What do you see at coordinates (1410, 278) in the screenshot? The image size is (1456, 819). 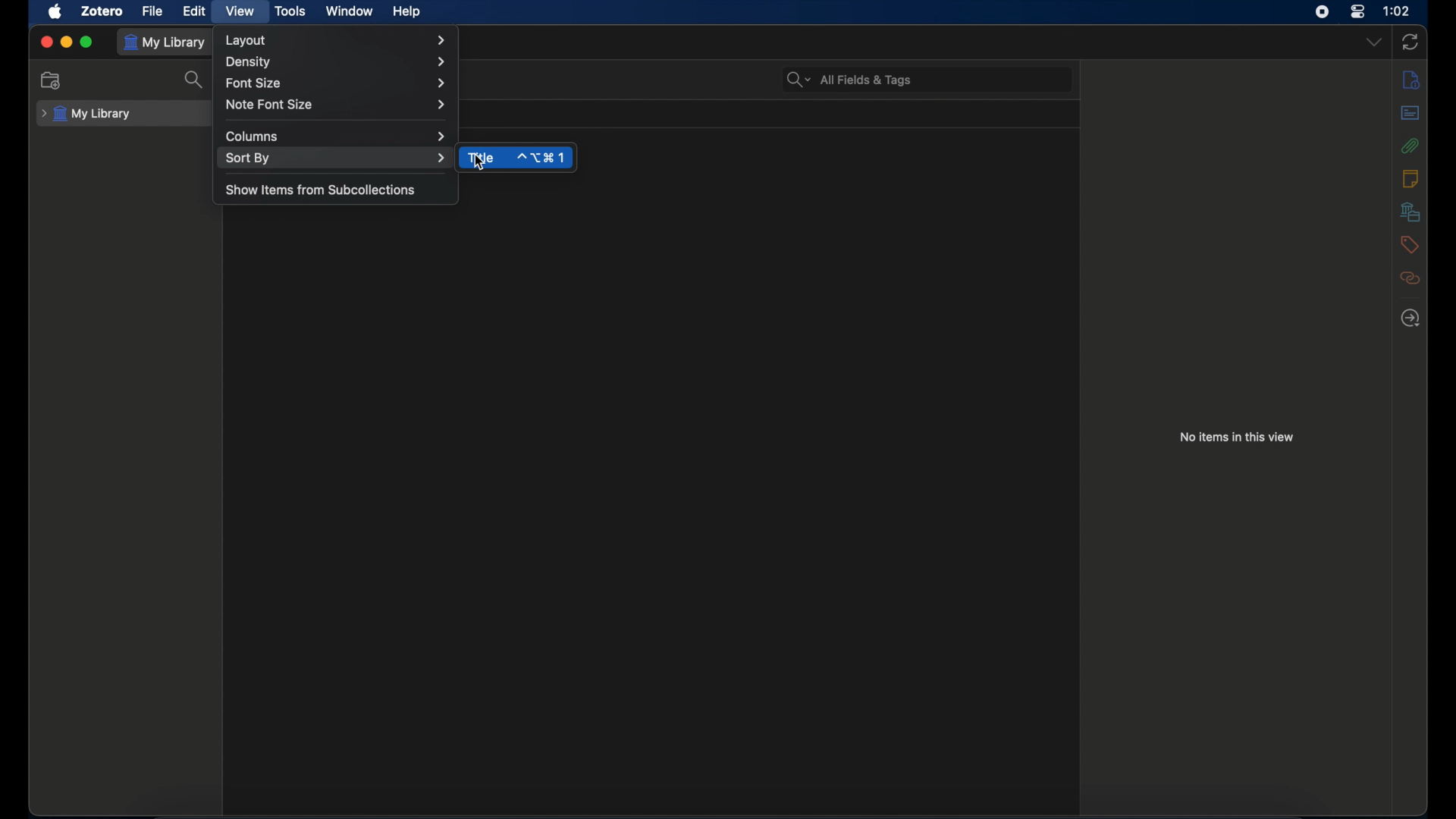 I see `related` at bounding box center [1410, 278].